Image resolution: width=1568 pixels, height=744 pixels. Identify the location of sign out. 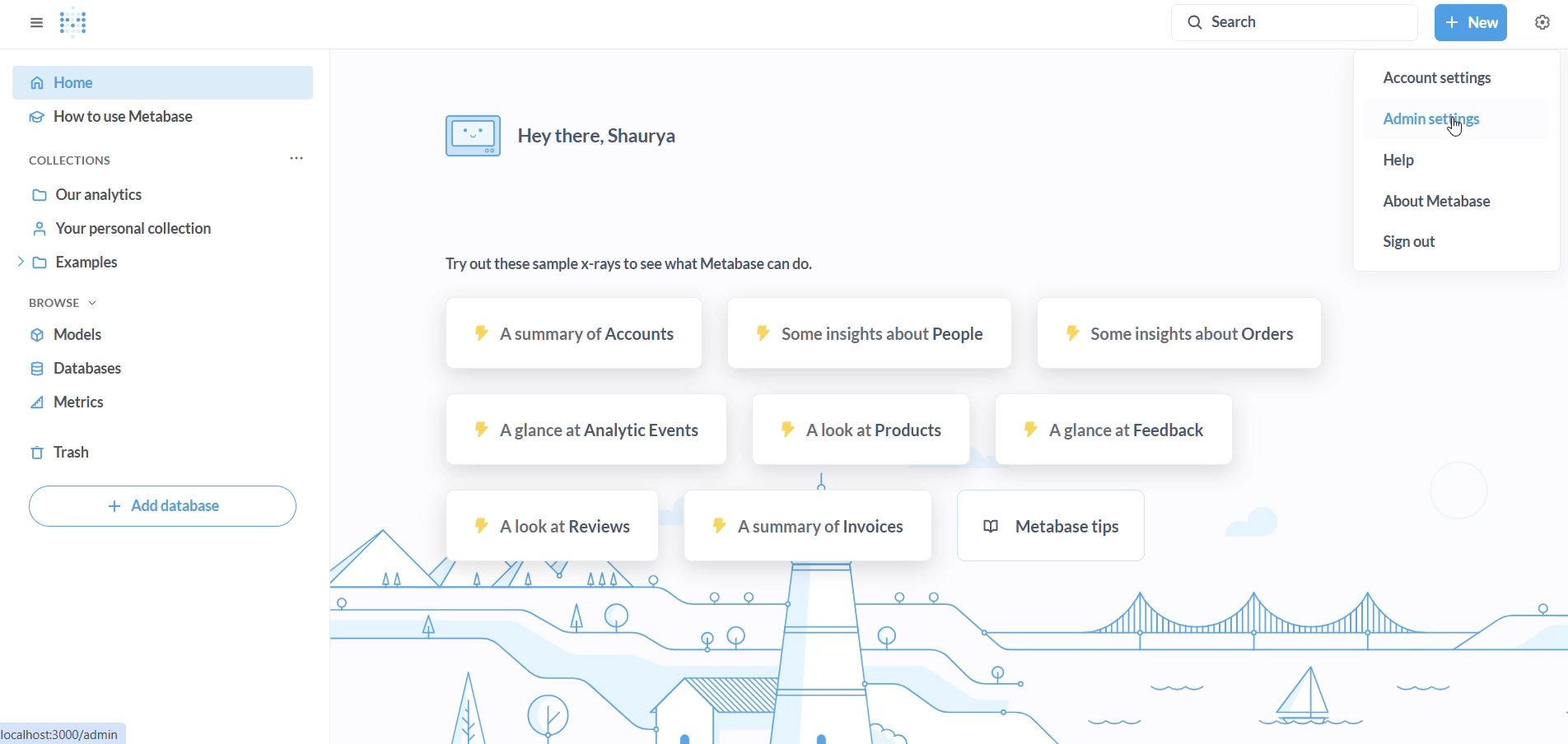
(1461, 241).